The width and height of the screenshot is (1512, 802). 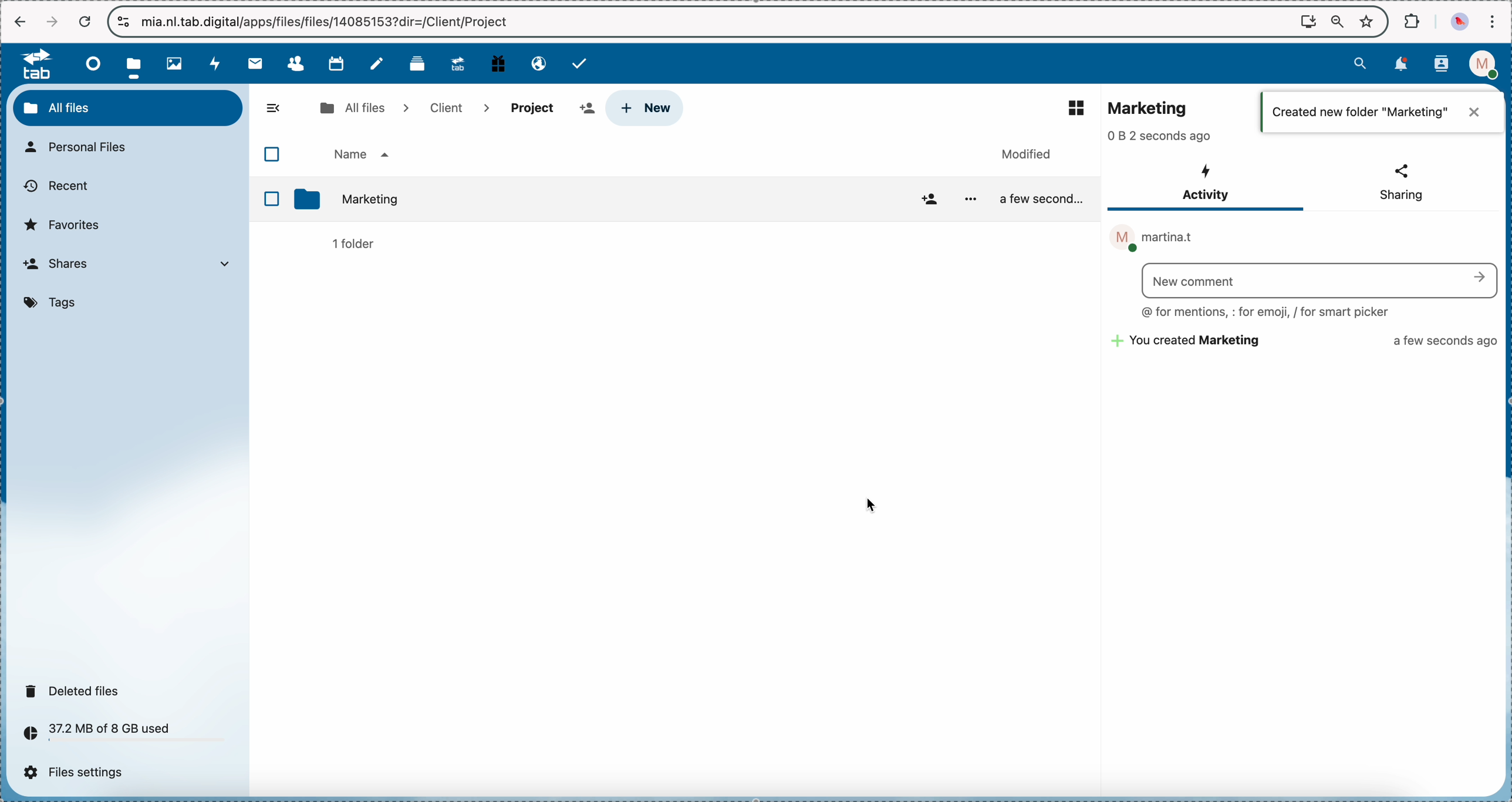 What do you see at coordinates (84, 22) in the screenshot?
I see `cancel` at bounding box center [84, 22].